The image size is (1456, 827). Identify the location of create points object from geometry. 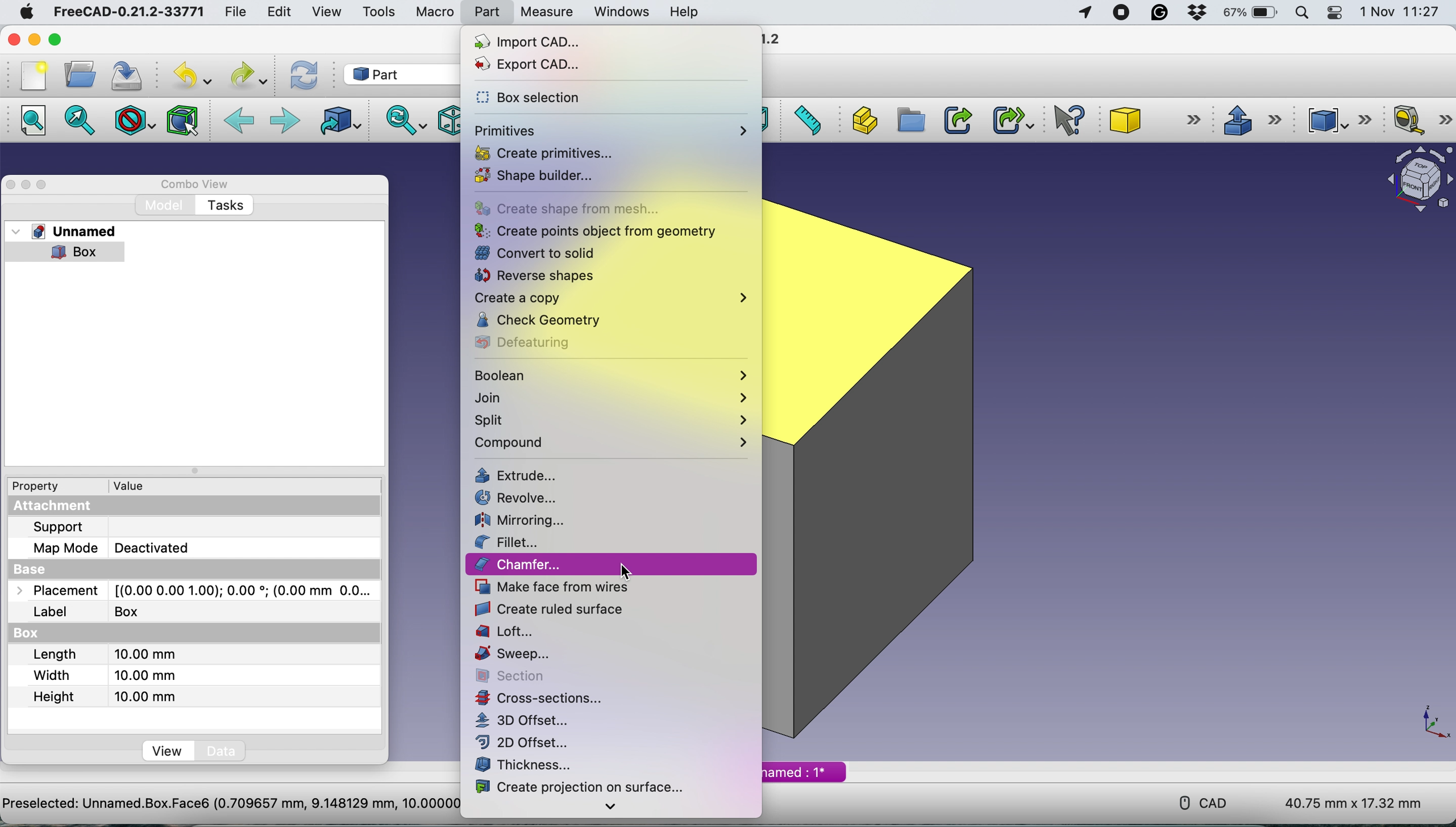
(599, 231).